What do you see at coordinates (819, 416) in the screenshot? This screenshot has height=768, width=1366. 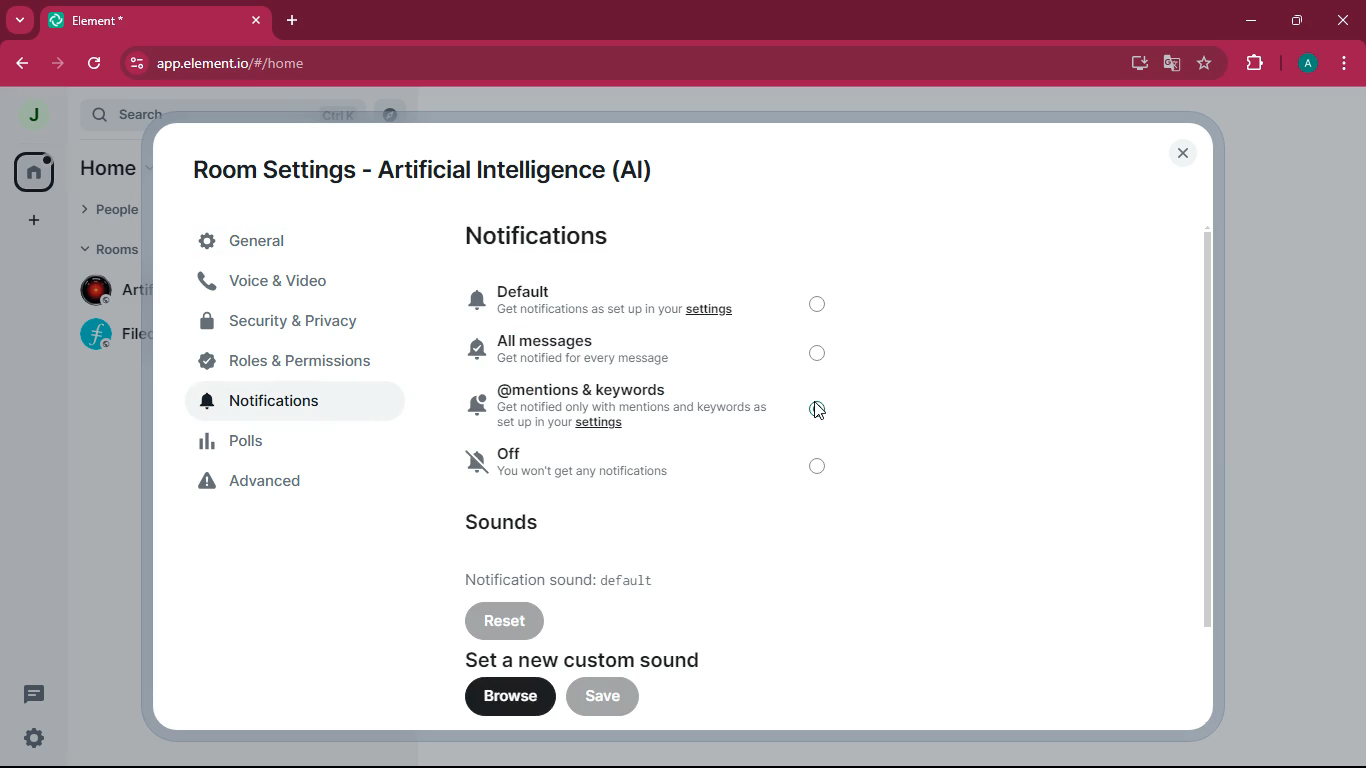 I see `cursor` at bounding box center [819, 416].